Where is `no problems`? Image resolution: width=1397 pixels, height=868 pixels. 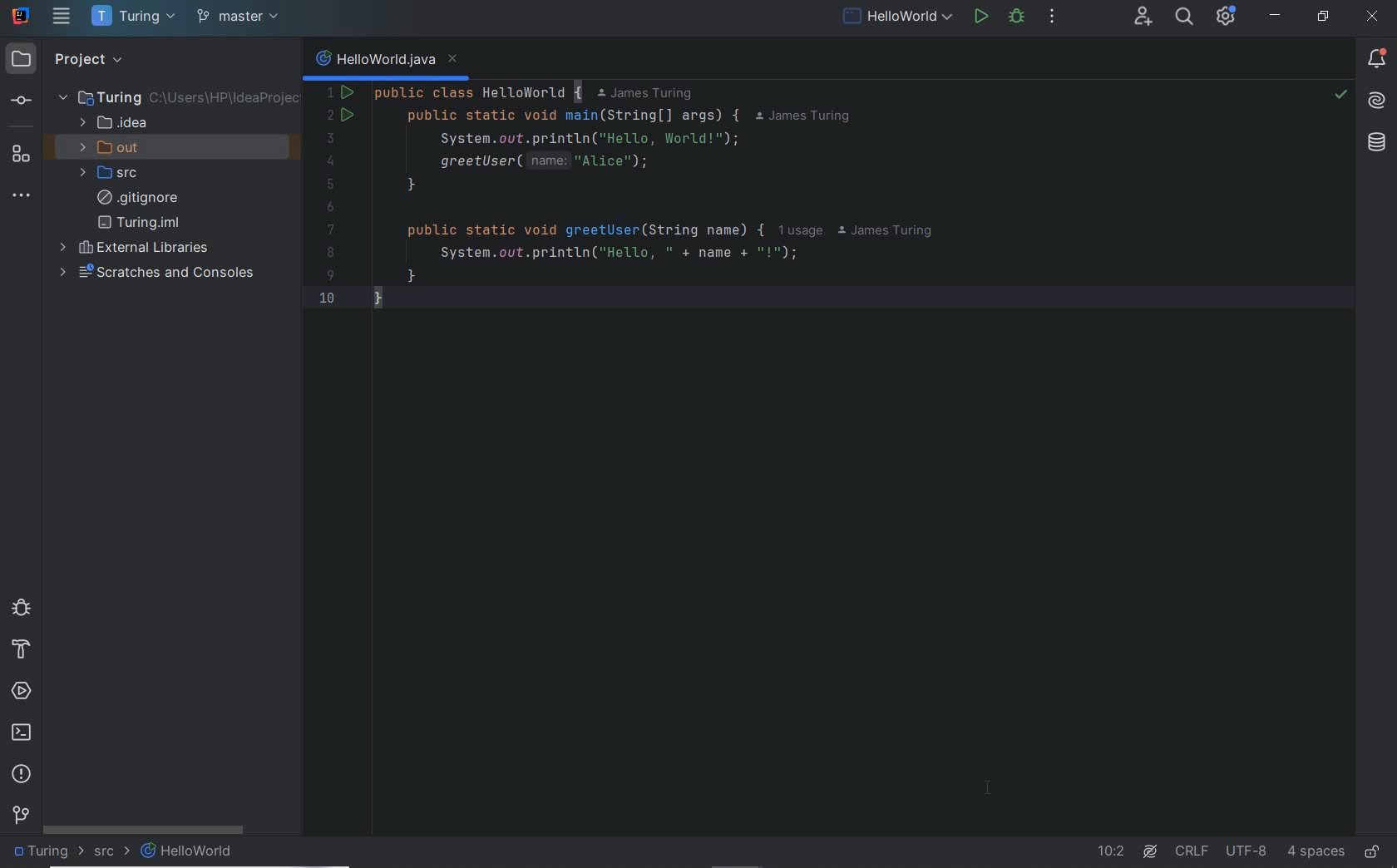
no problems is located at coordinates (1340, 96).